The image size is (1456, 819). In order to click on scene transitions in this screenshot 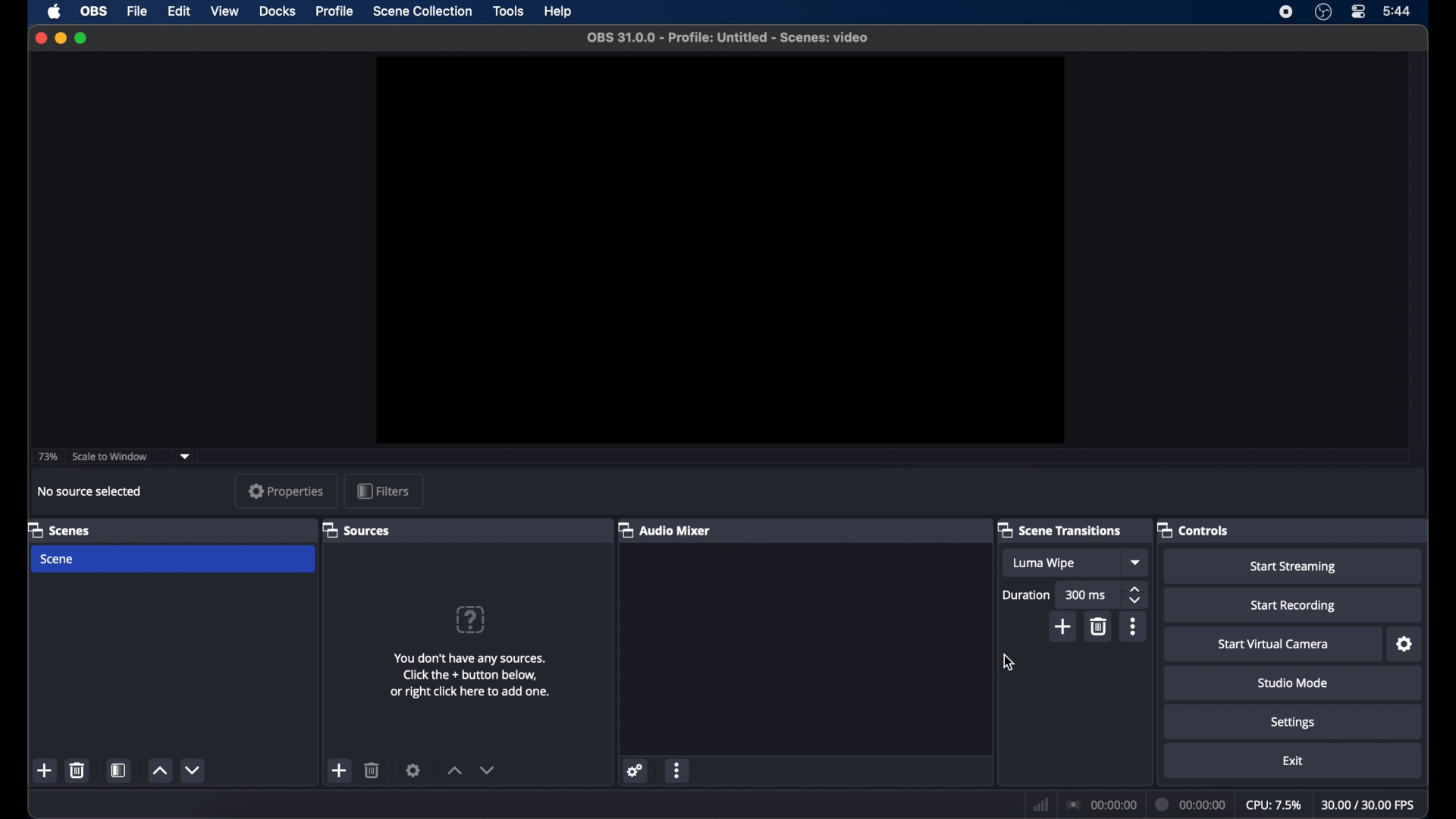, I will do `click(1059, 530)`.